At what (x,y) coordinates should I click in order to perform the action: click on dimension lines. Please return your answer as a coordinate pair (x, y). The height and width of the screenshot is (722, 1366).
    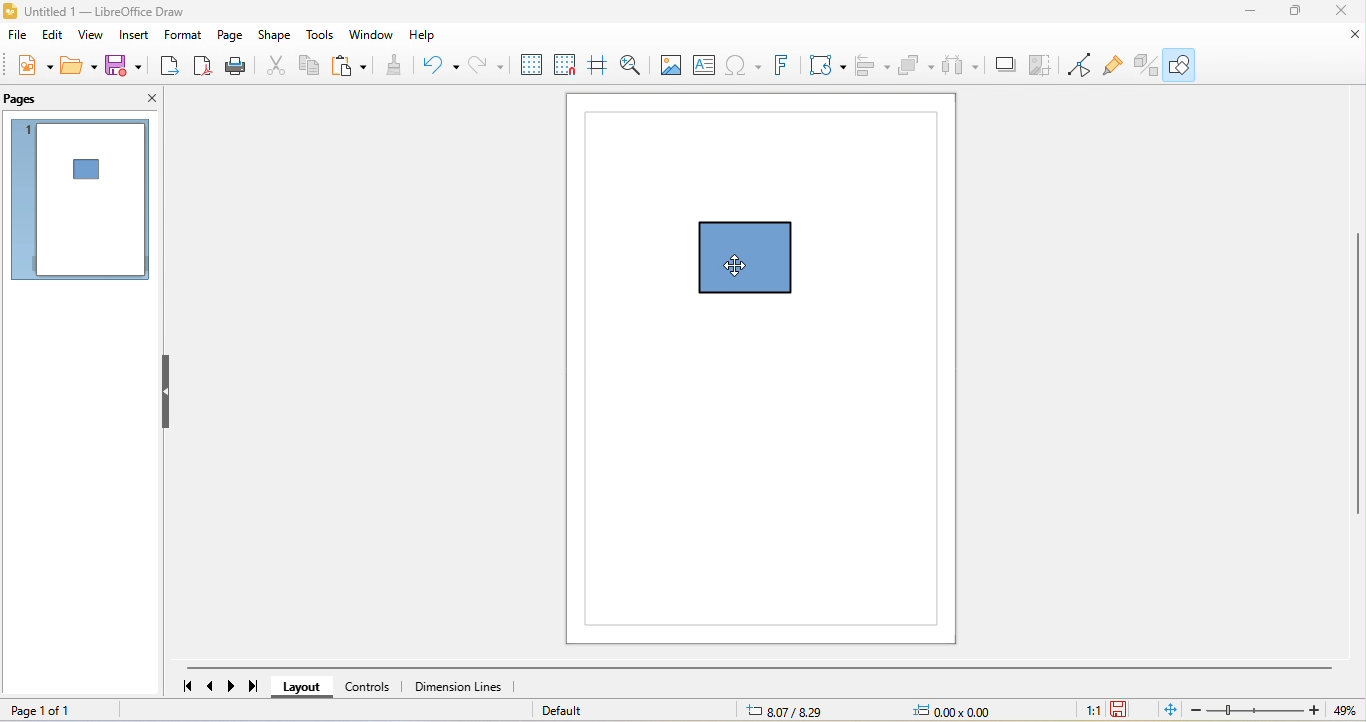
    Looking at the image, I should click on (466, 685).